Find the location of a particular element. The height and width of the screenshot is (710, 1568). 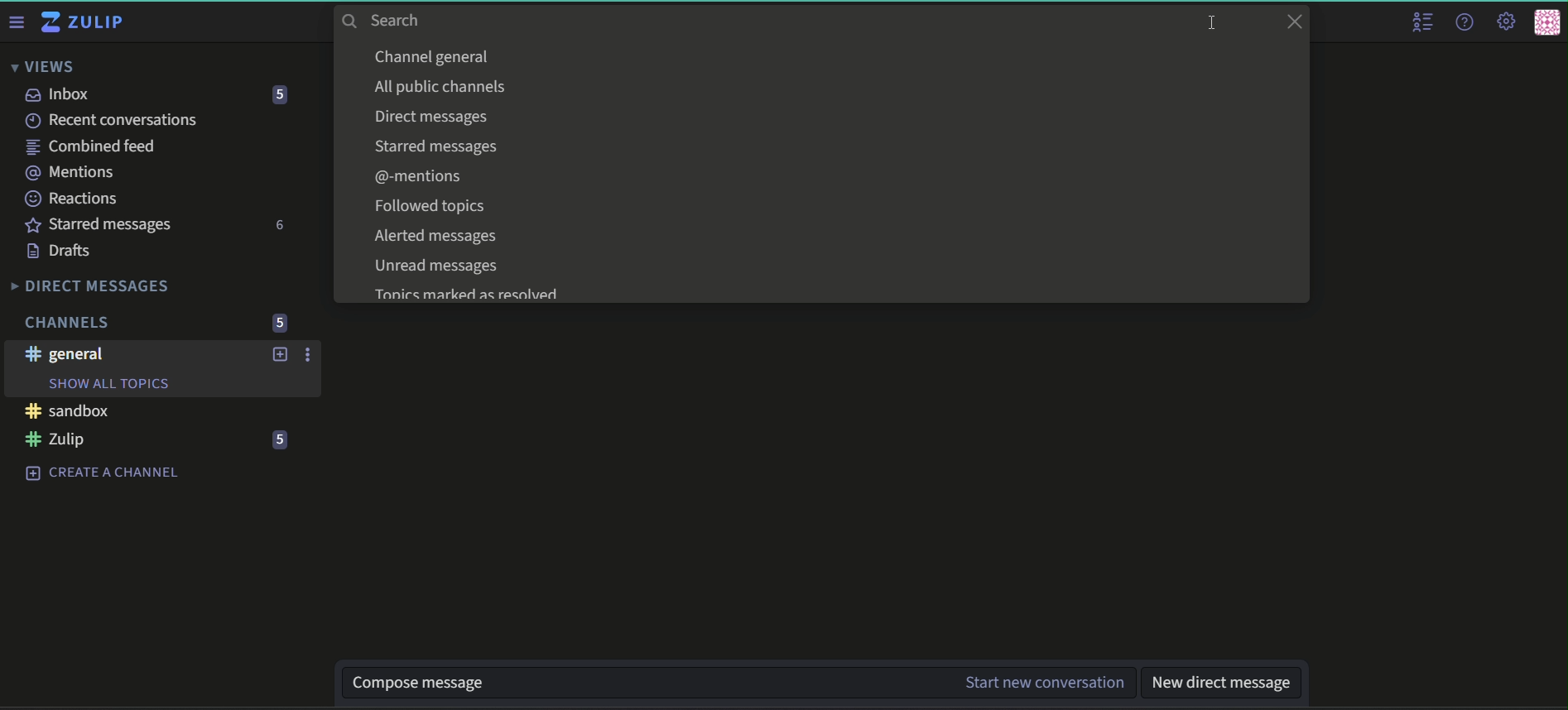

Reactions is located at coordinates (74, 199).